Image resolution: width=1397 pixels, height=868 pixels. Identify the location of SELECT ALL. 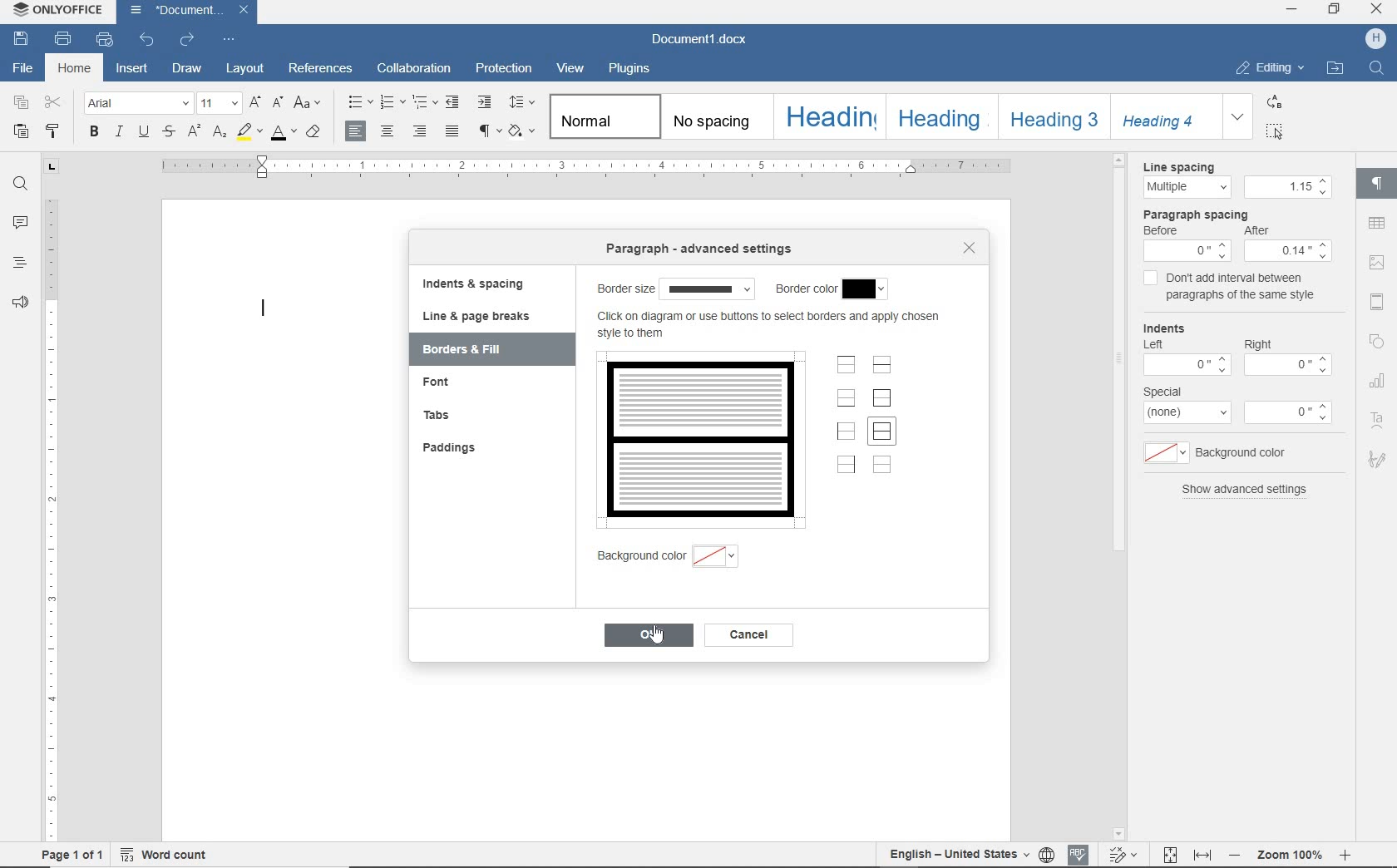
(1275, 131).